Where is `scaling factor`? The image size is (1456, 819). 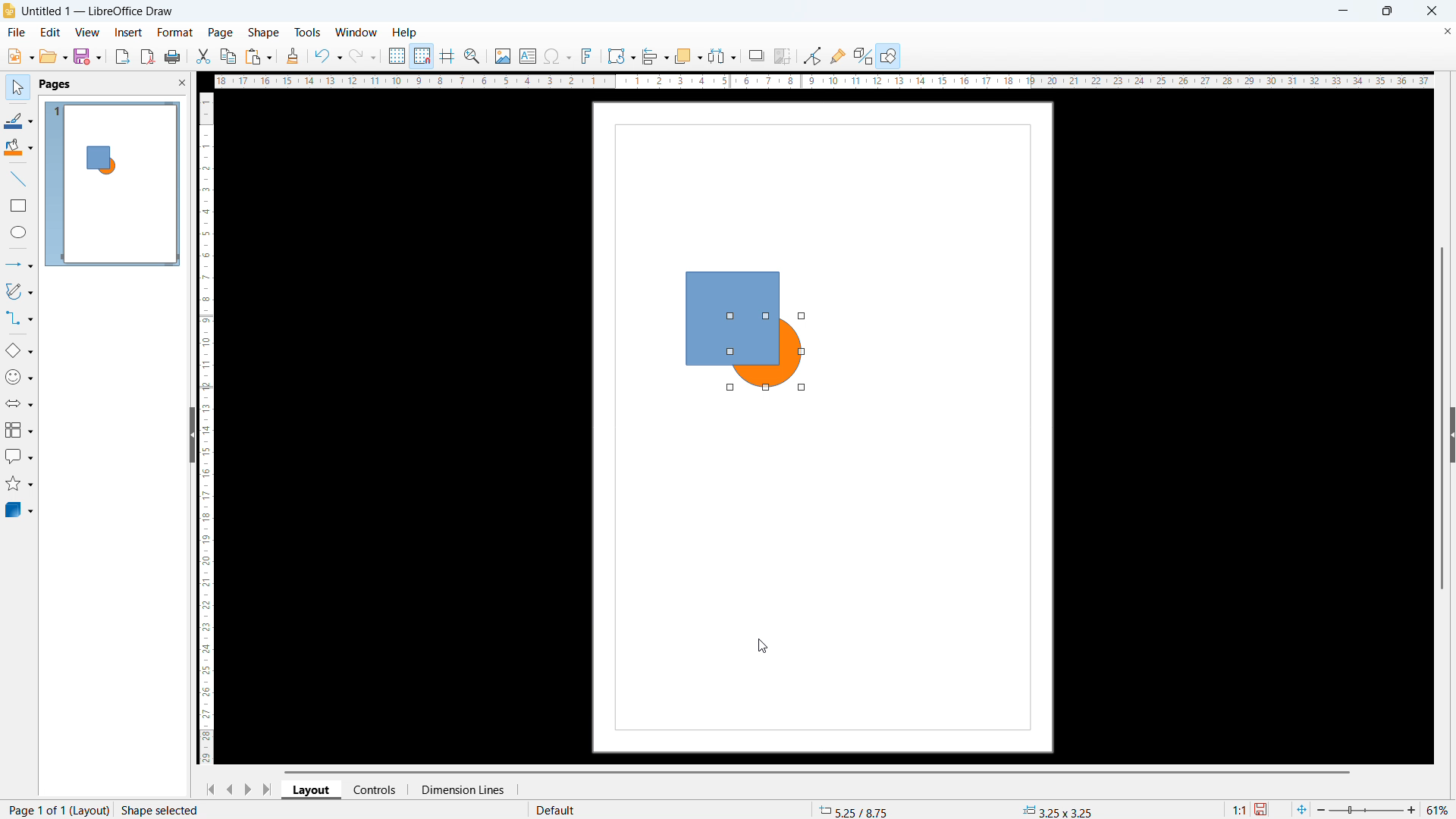
scaling factor is located at coordinates (1240, 810).